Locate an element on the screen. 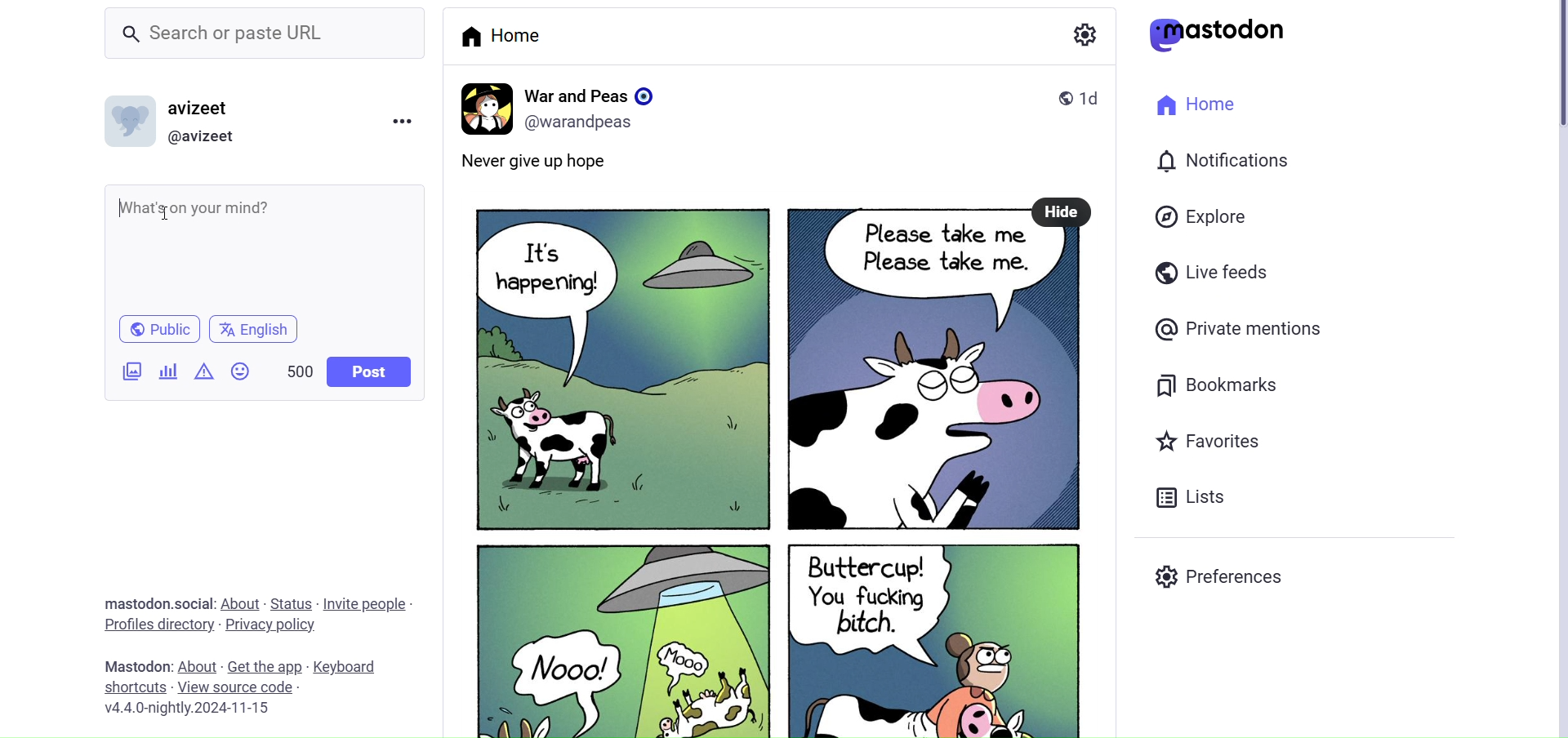  1d is located at coordinates (1098, 96).